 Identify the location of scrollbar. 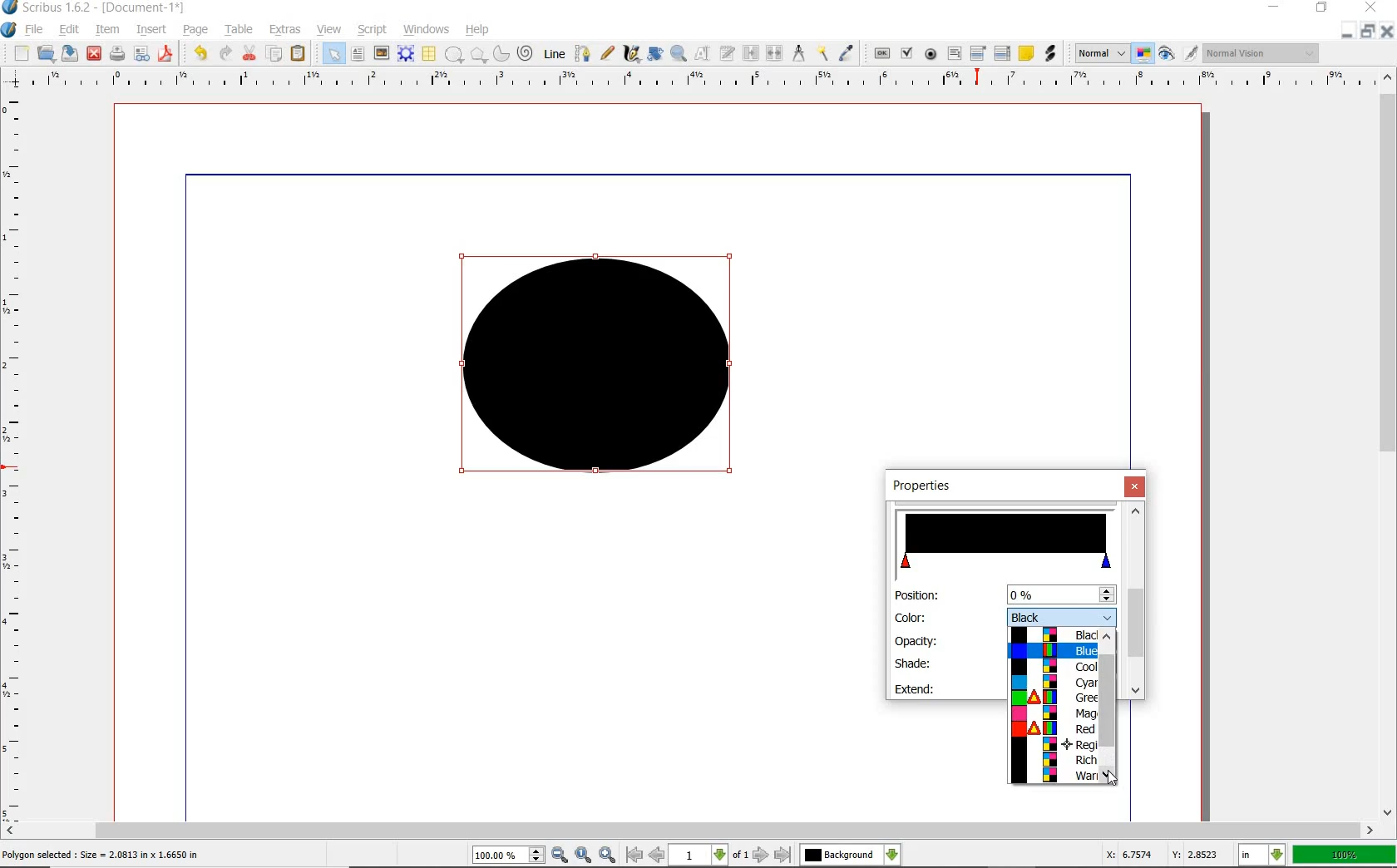
(1108, 700).